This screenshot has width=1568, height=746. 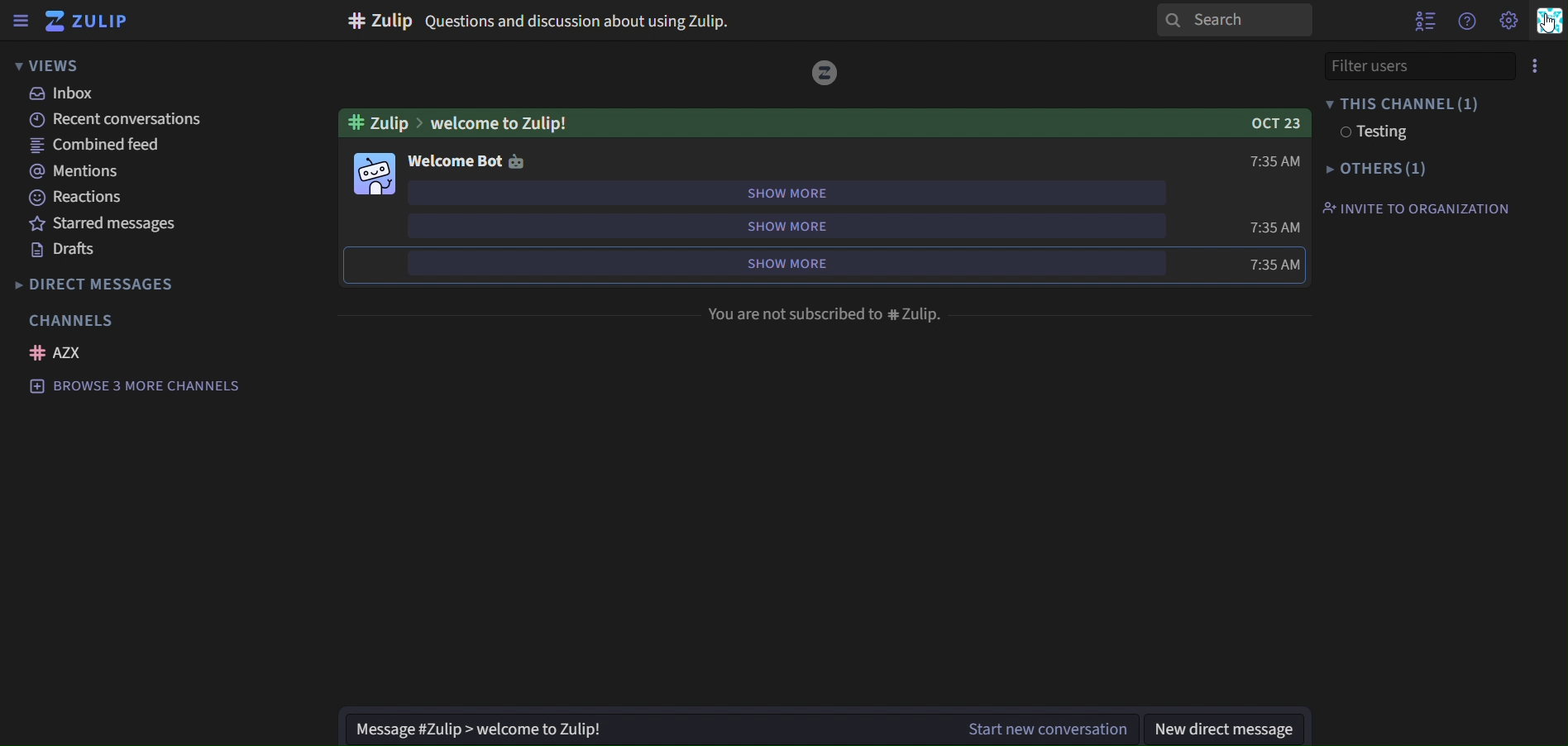 I want to click on new direct message, so click(x=1222, y=724).